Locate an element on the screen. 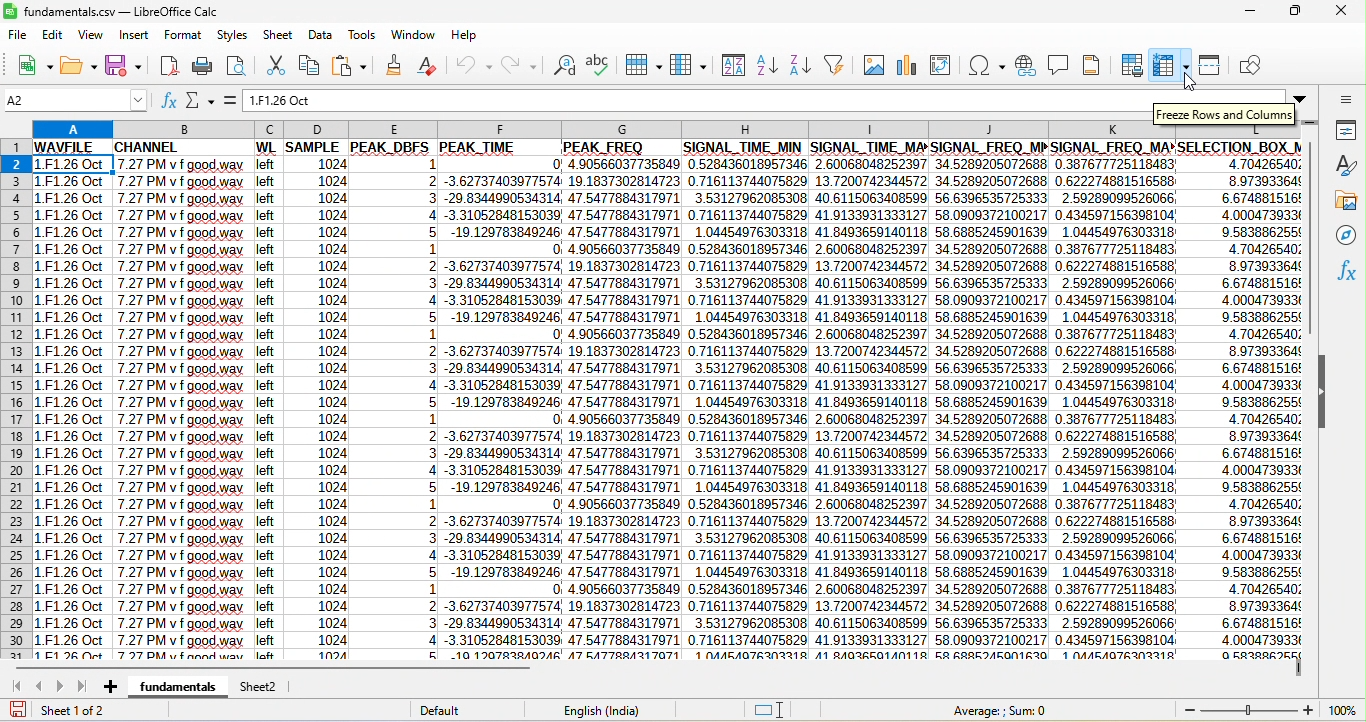  styles is located at coordinates (232, 37).